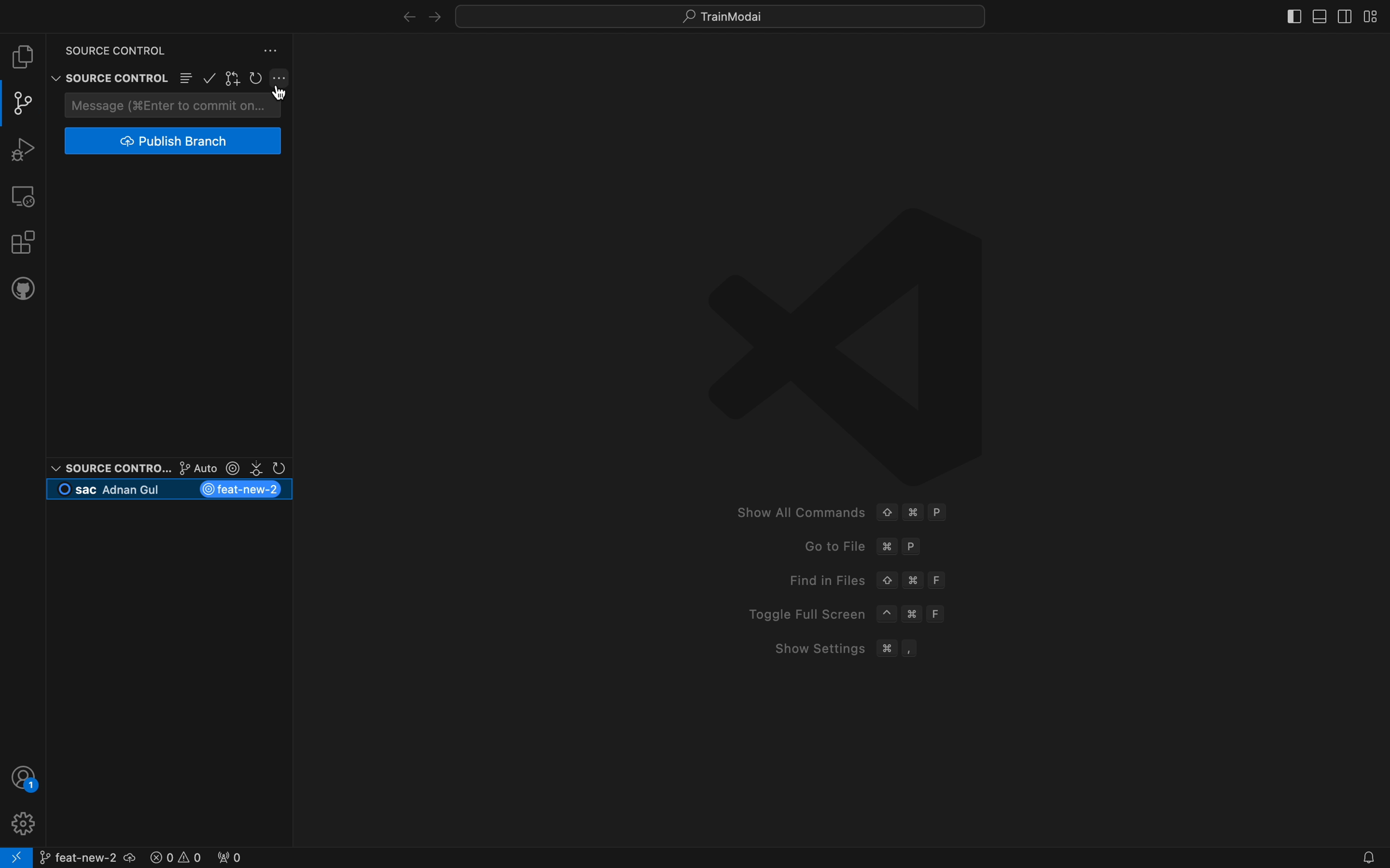 The width and height of the screenshot is (1390, 868). Describe the element at coordinates (912, 648) in the screenshot. I see `,` at that location.